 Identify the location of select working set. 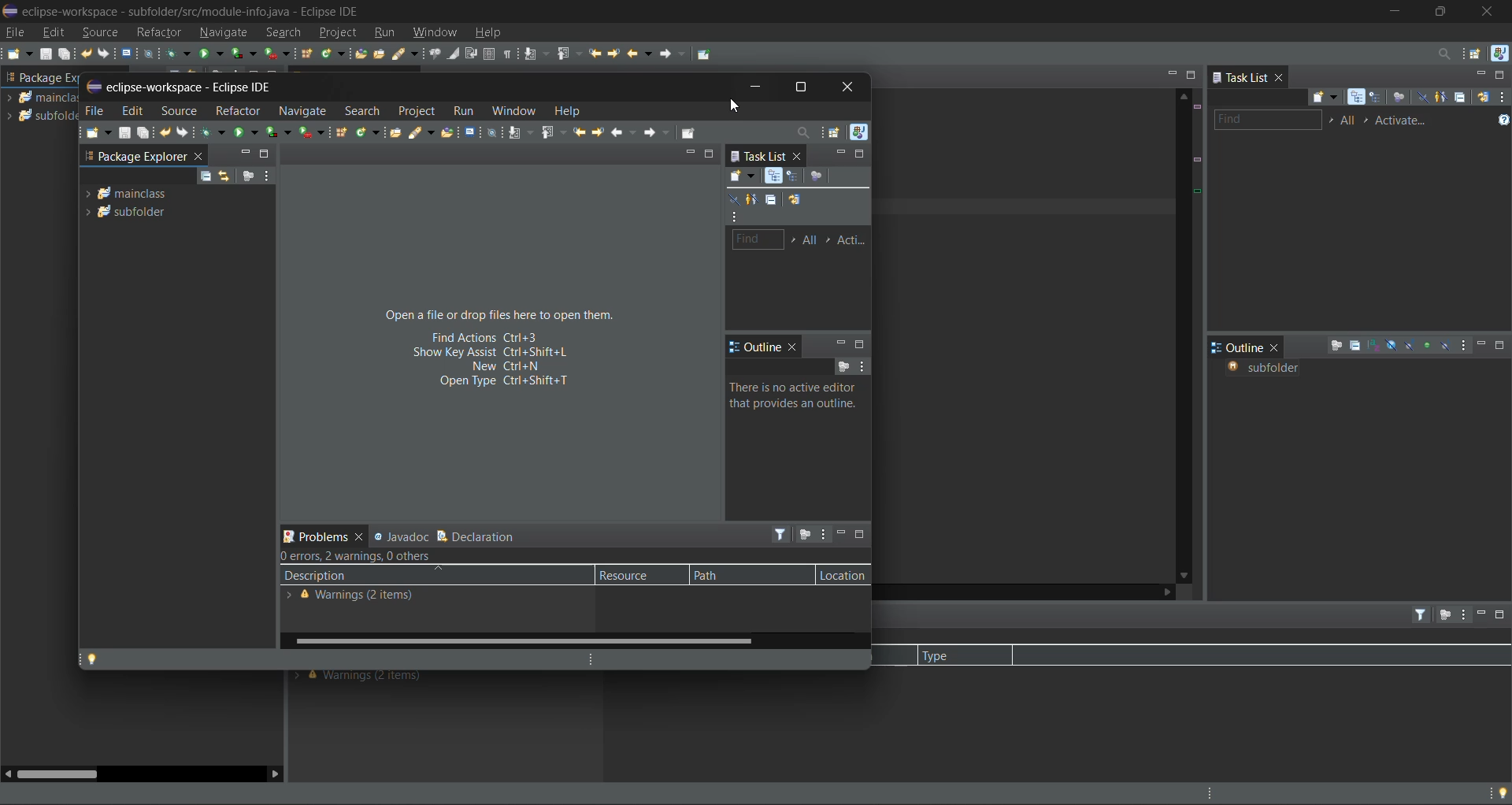
(795, 240).